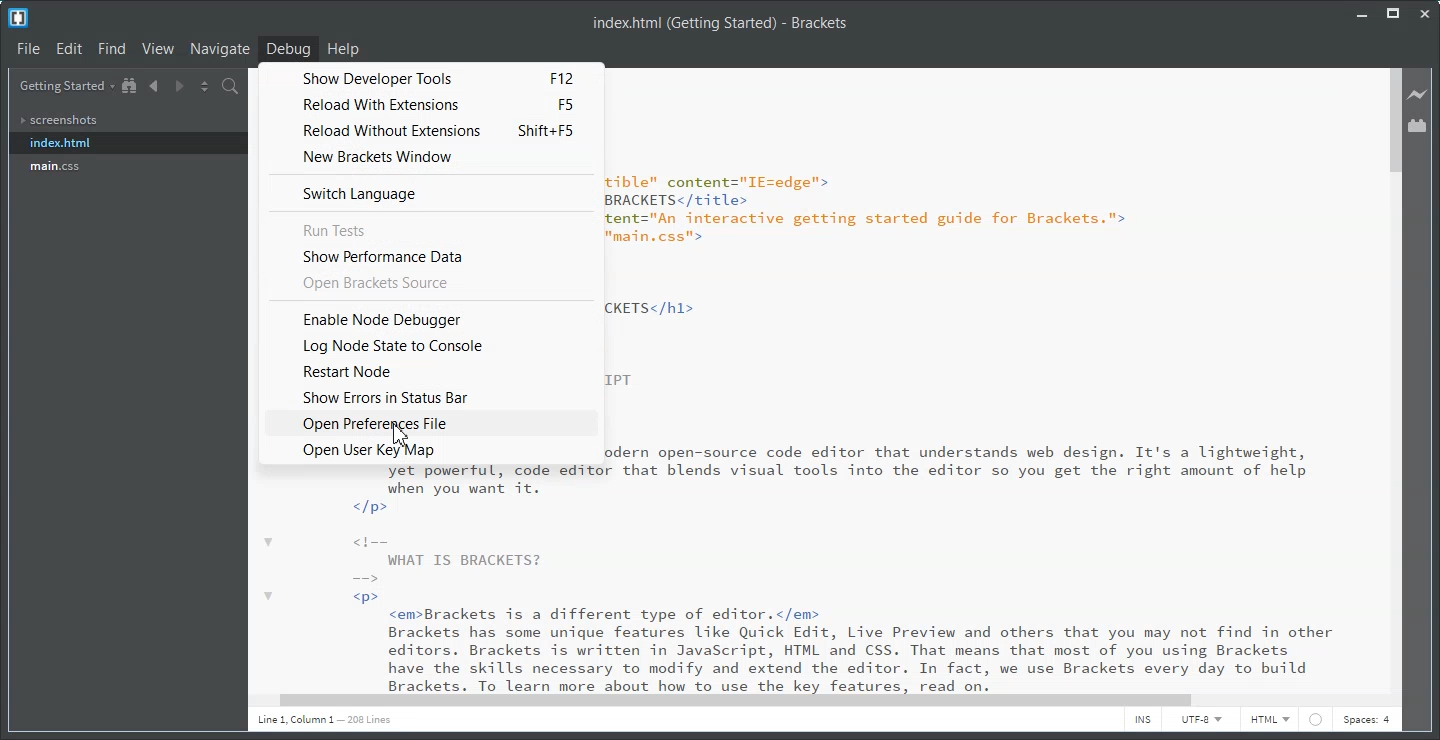 This screenshot has width=1440, height=740. I want to click on Restart Node, so click(427, 370).